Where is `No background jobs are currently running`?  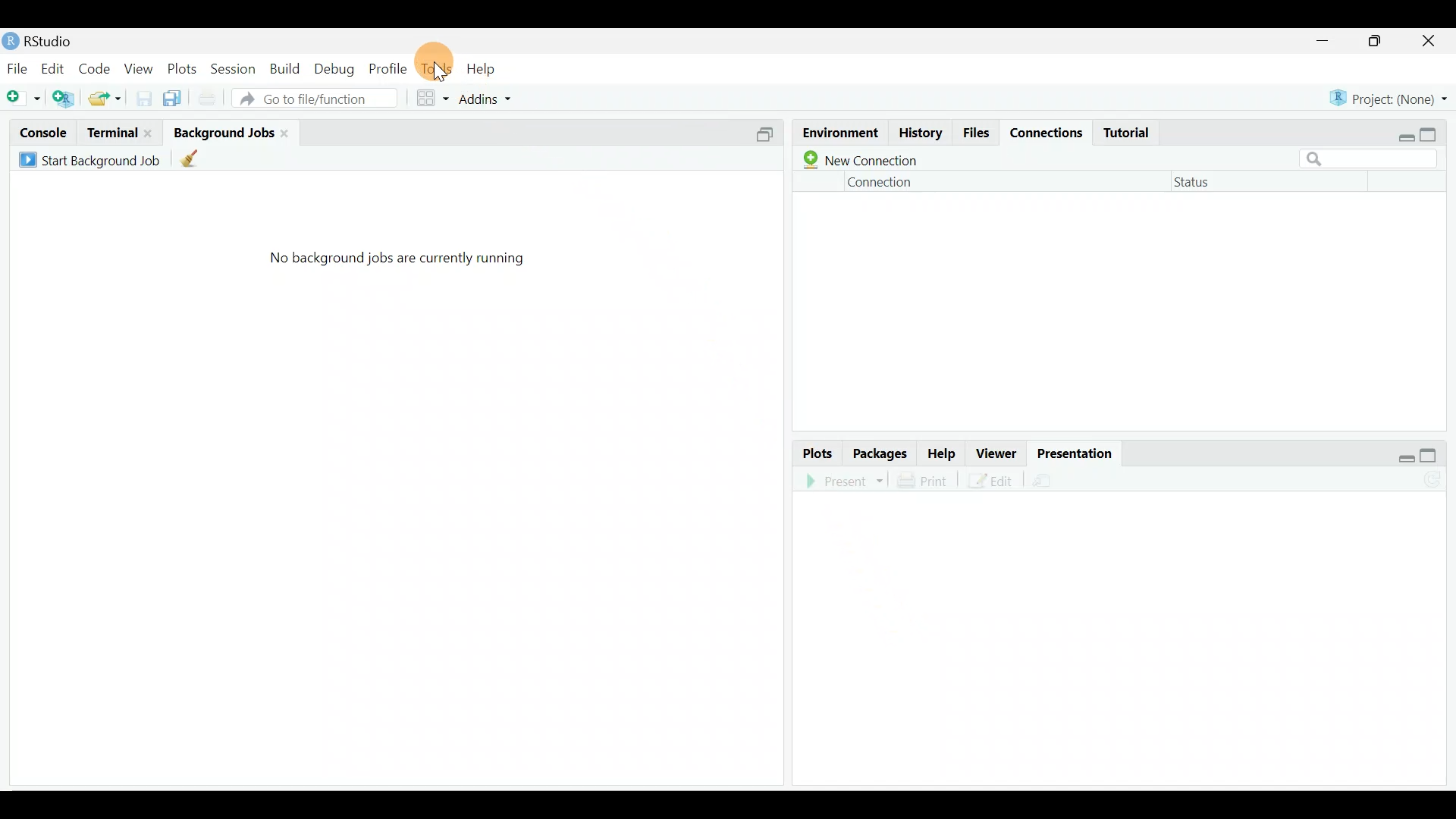 No background jobs are currently running is located at coordinates (393, 261).